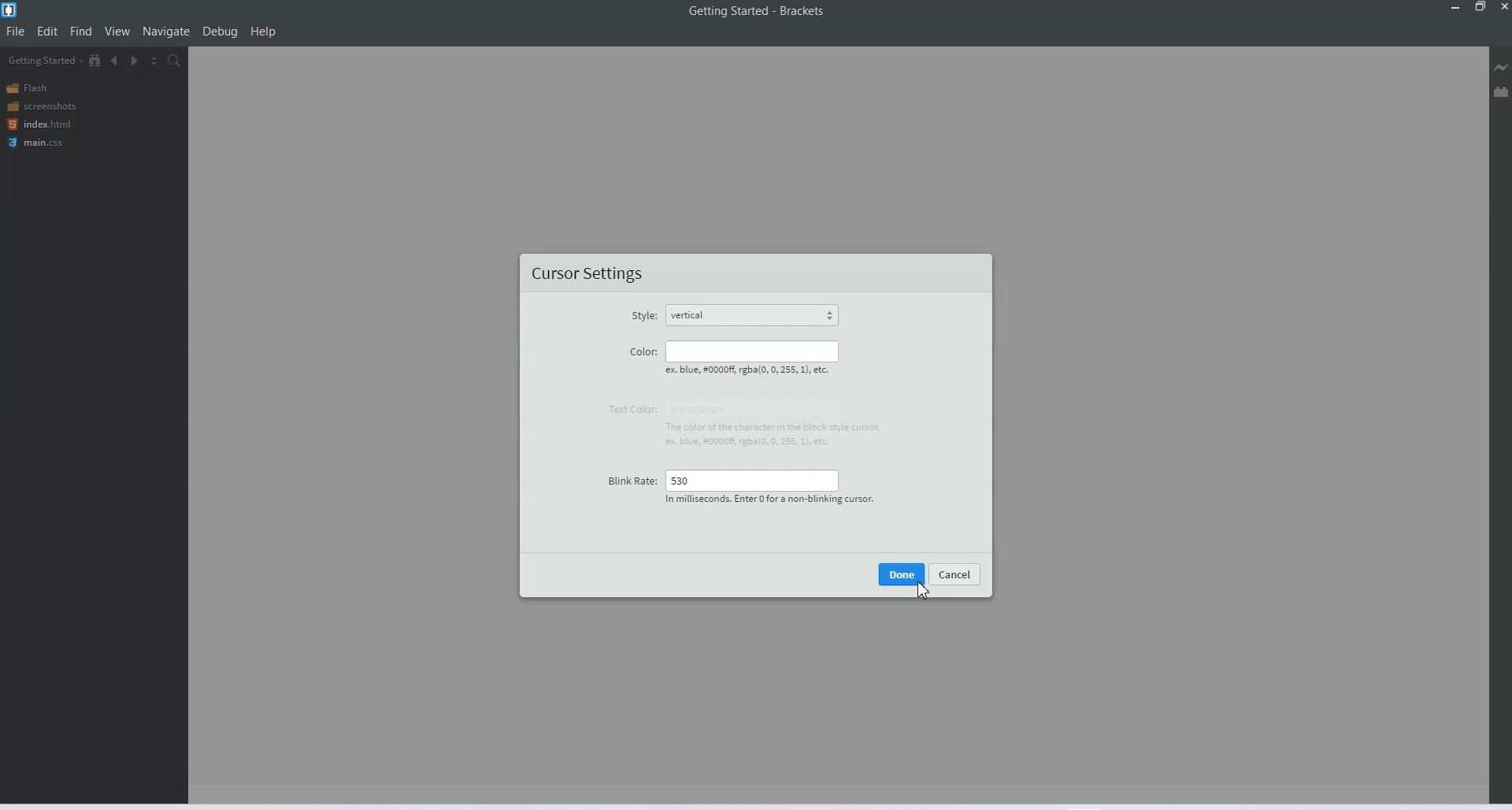 Image resolution: width=1512 pixels, height=810 pixels. Describe the element at coordinates (757, 12) in the screenshot. I see `Getting Started-Brackets` at that location.